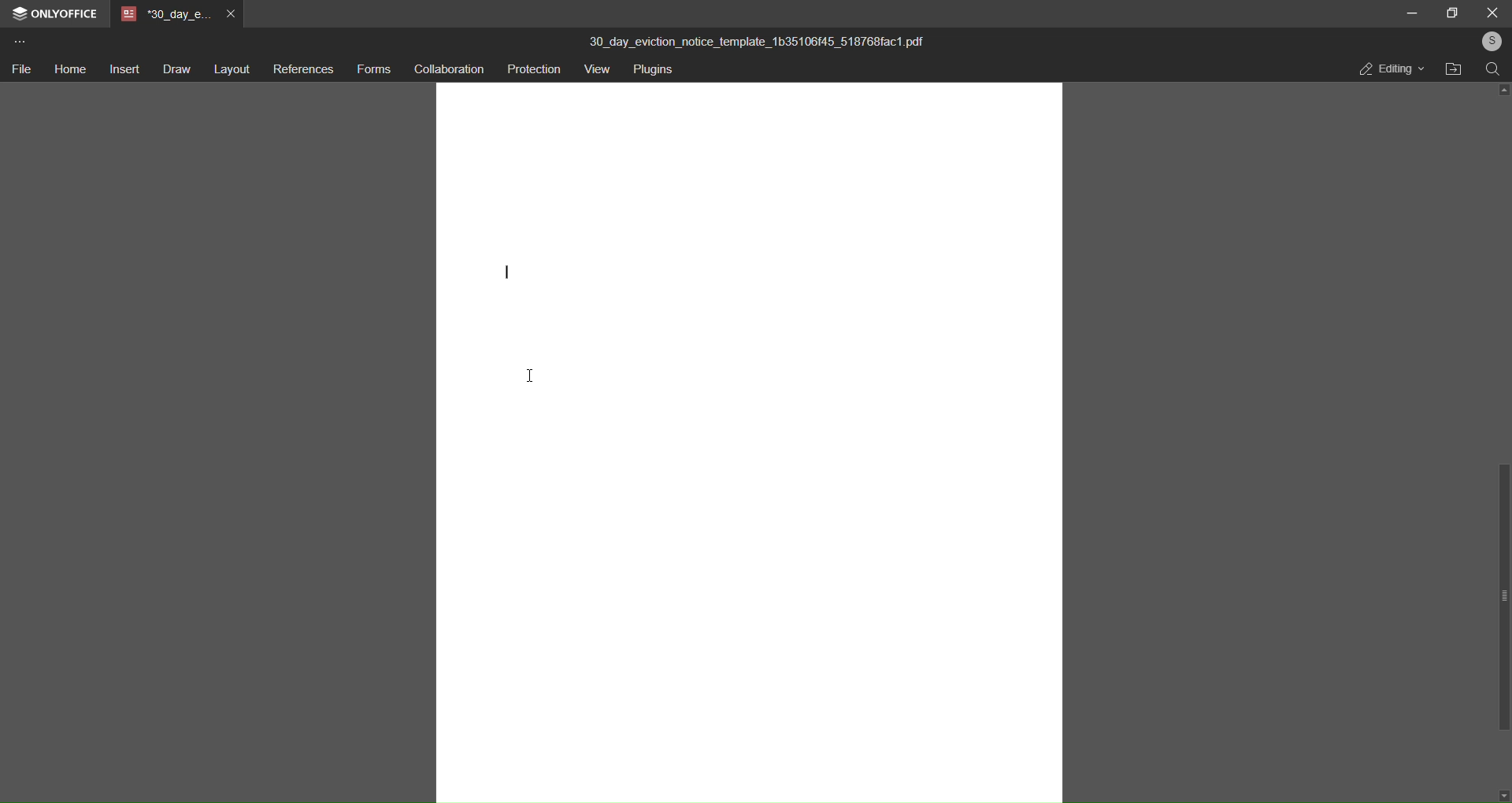  Describe the element at coordinates (531, 69) in the screenshot. I see `protection` at that location.